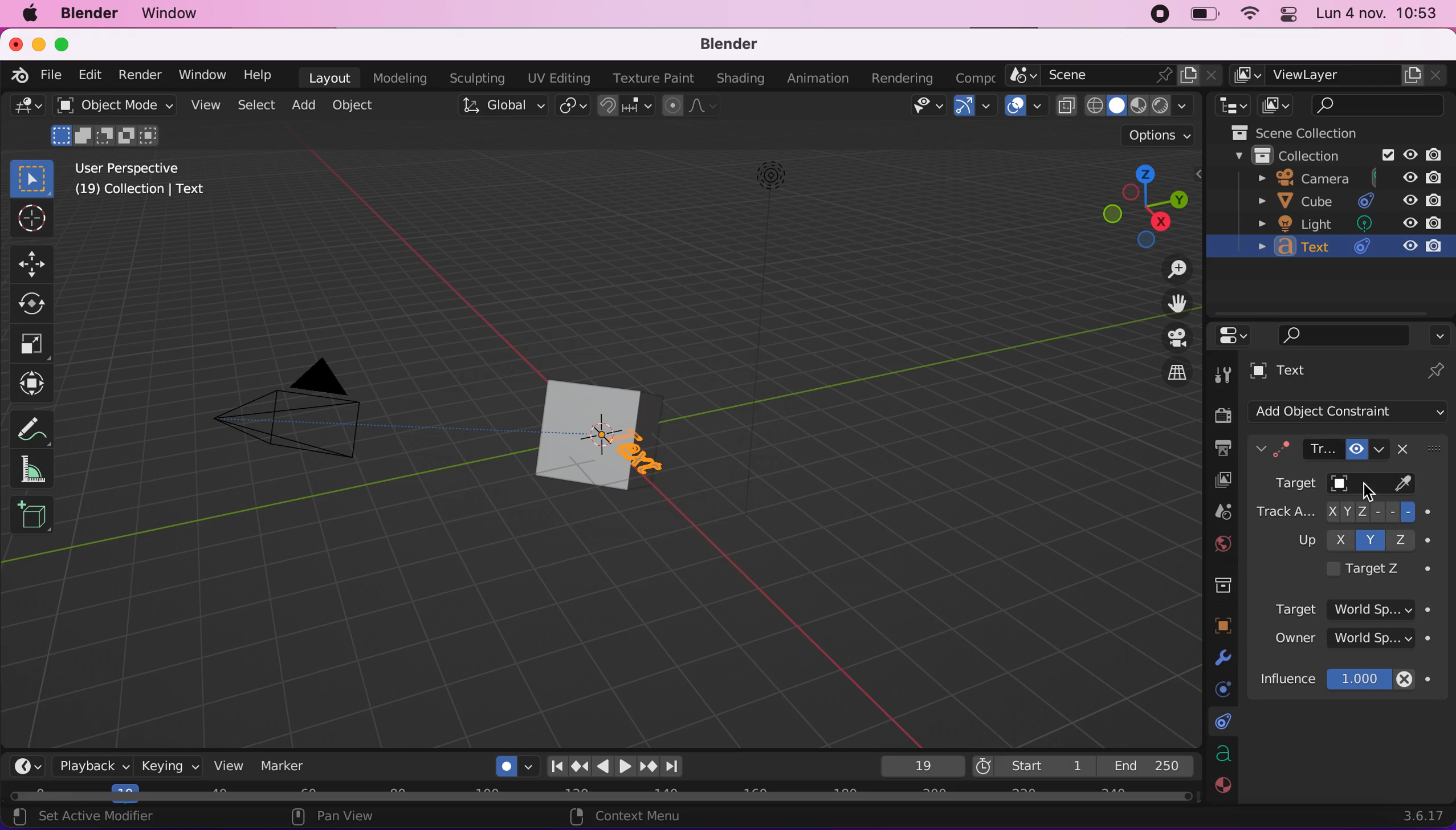  Describe the element at coordinates (575, 436) in the screenshot. I see `cube` at that location.